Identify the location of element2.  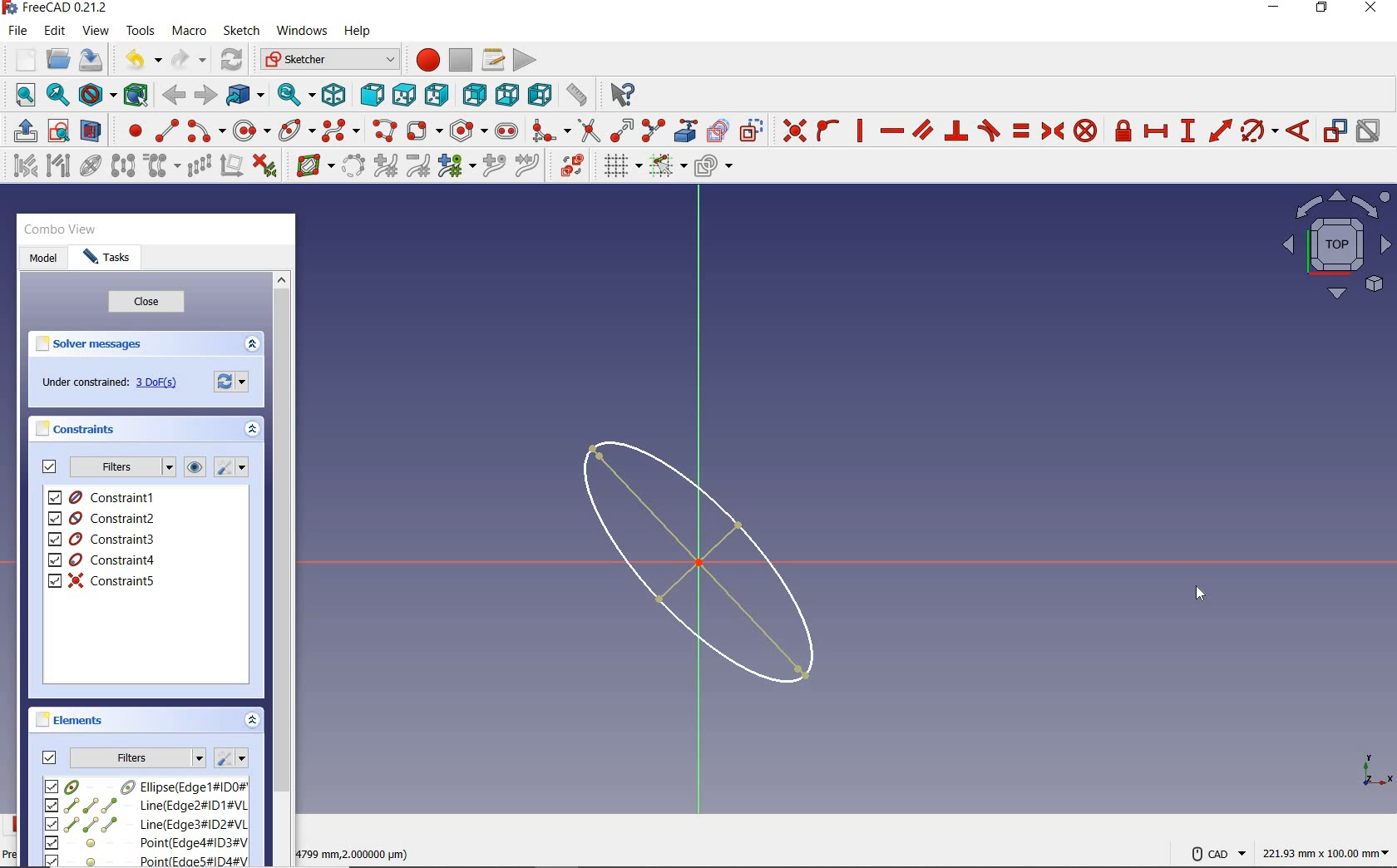
(146, 805).